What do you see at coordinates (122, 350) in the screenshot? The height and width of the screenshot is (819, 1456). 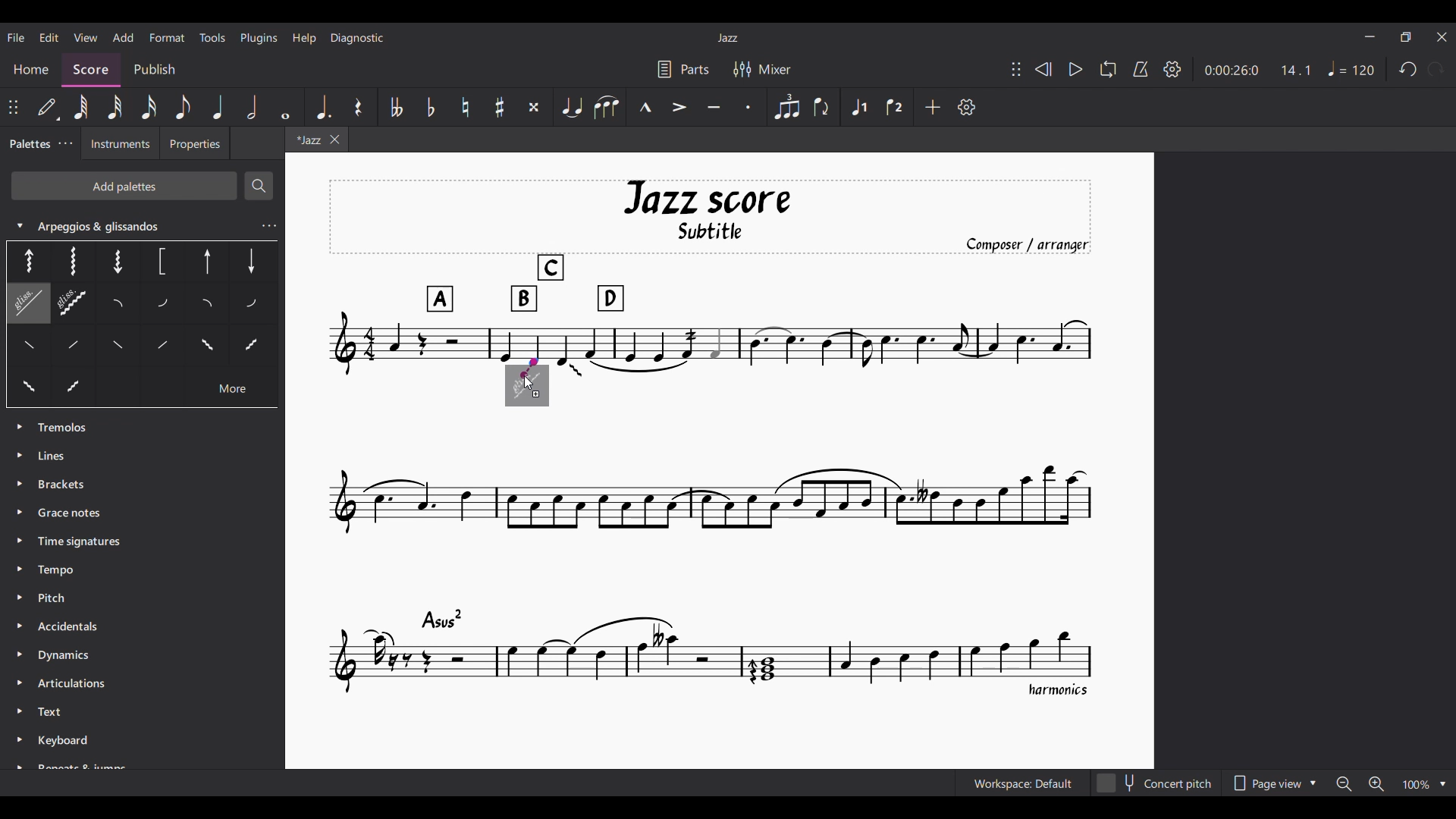 I see `Palate 13` at bounding box center [122, 350].